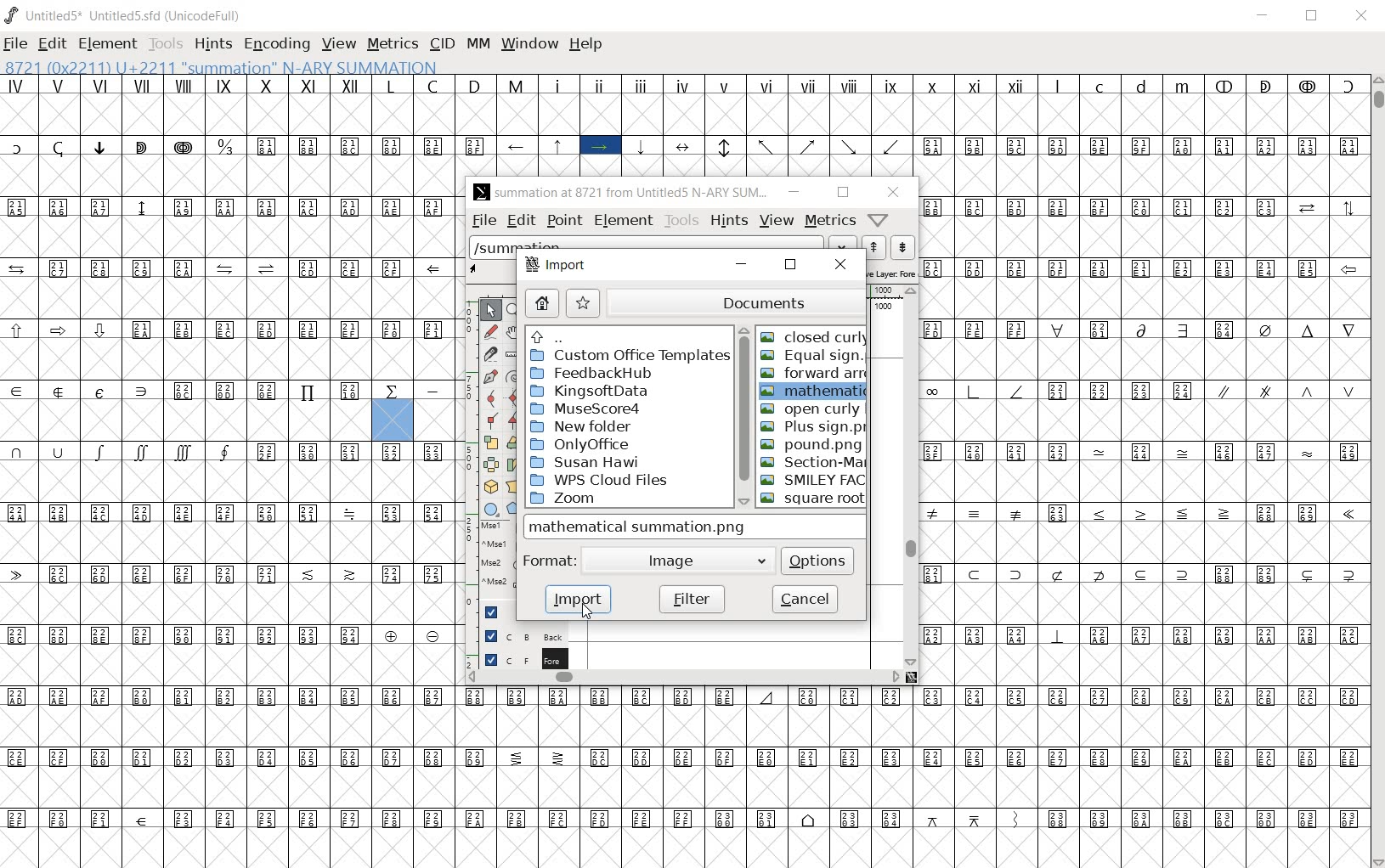 The height and width of the screenshot is (868, 1385). What do you see at coordinates (1377, 470) in the screenshot?
I see `SCROLLBAR` at bounding box center [1377, 470].